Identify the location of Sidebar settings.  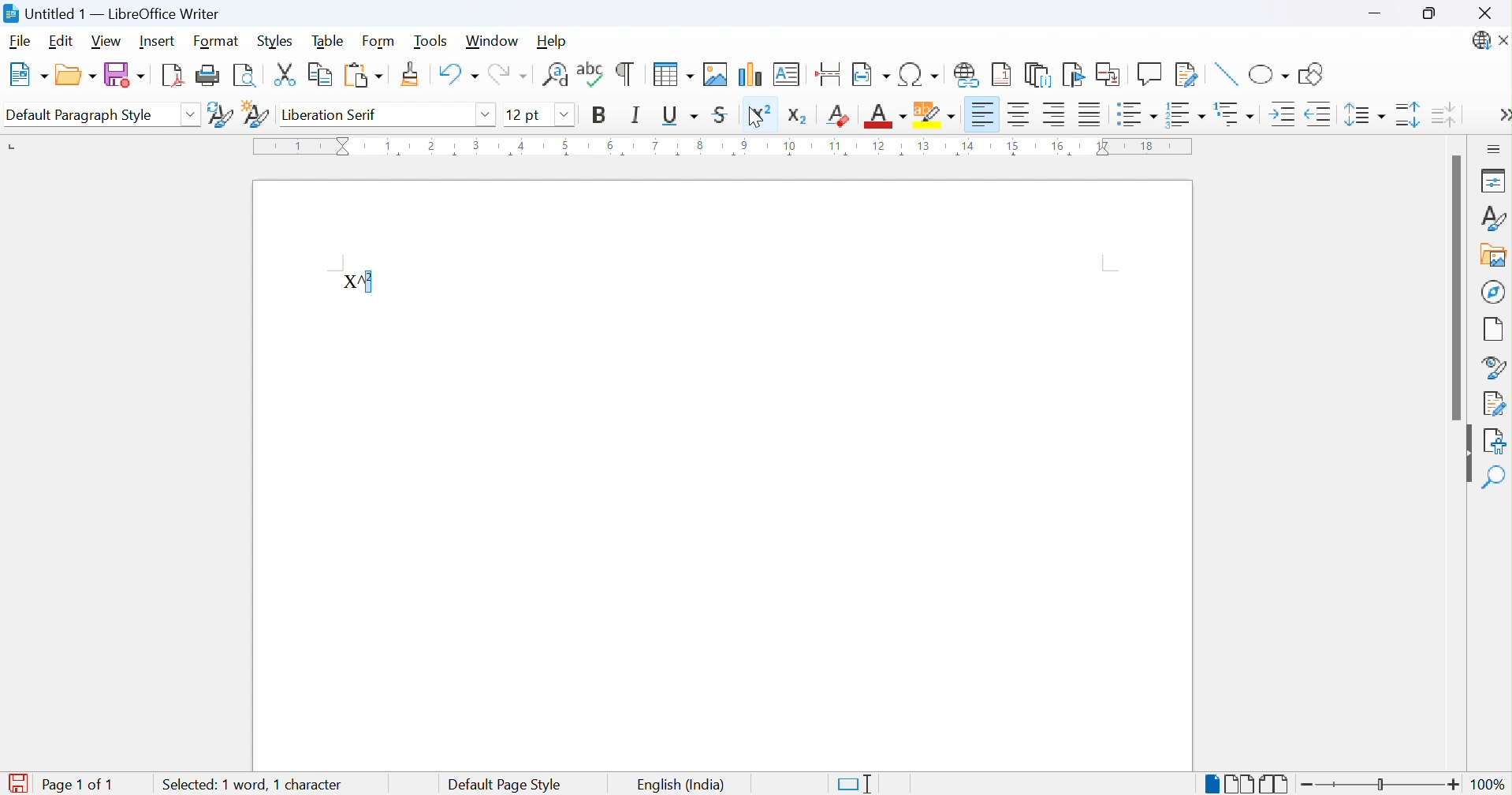
(1495, 151).